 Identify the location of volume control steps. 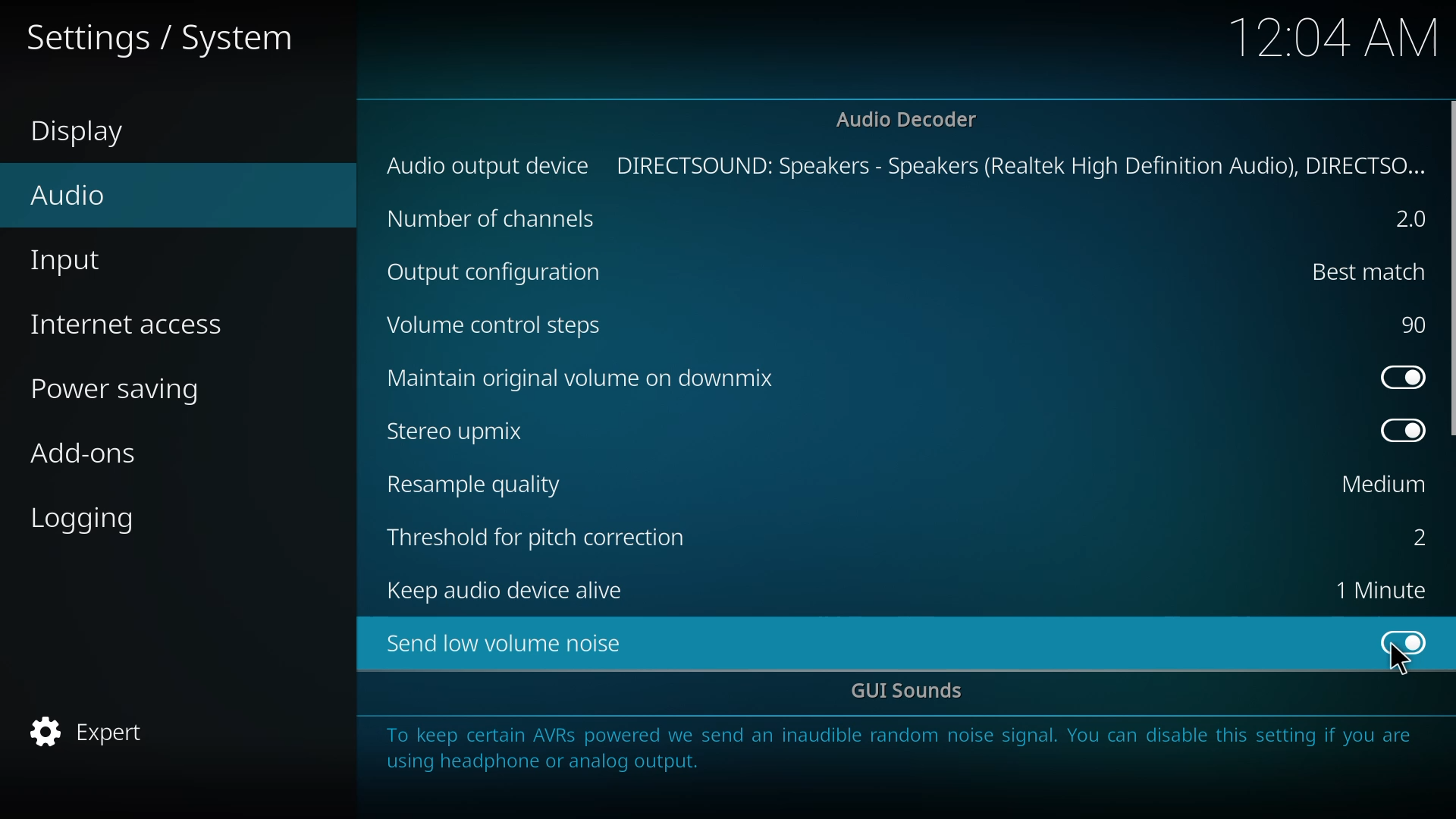
(501, 325).